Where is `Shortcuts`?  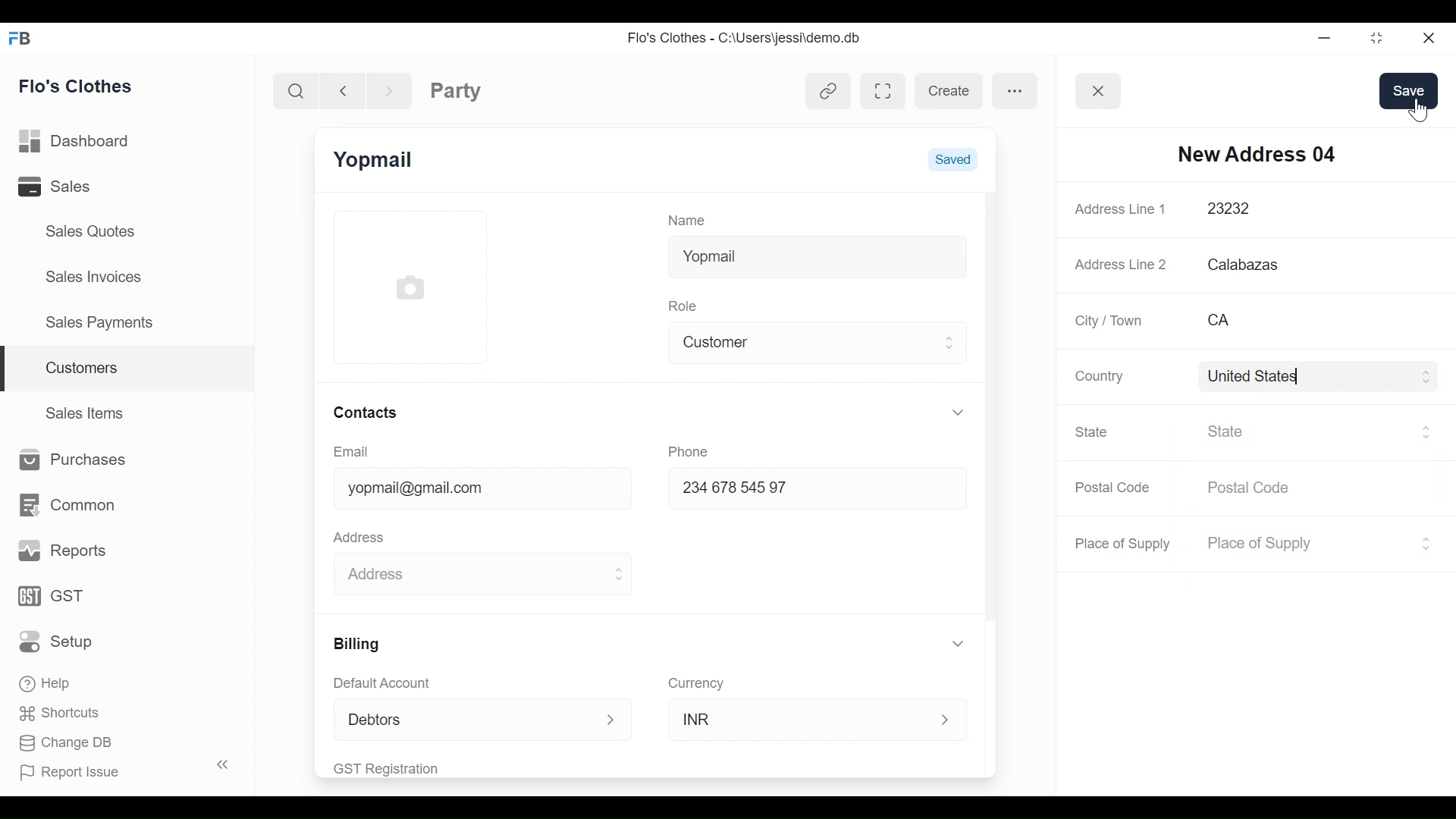
Shortcuts is located at coordinates (55, 712).